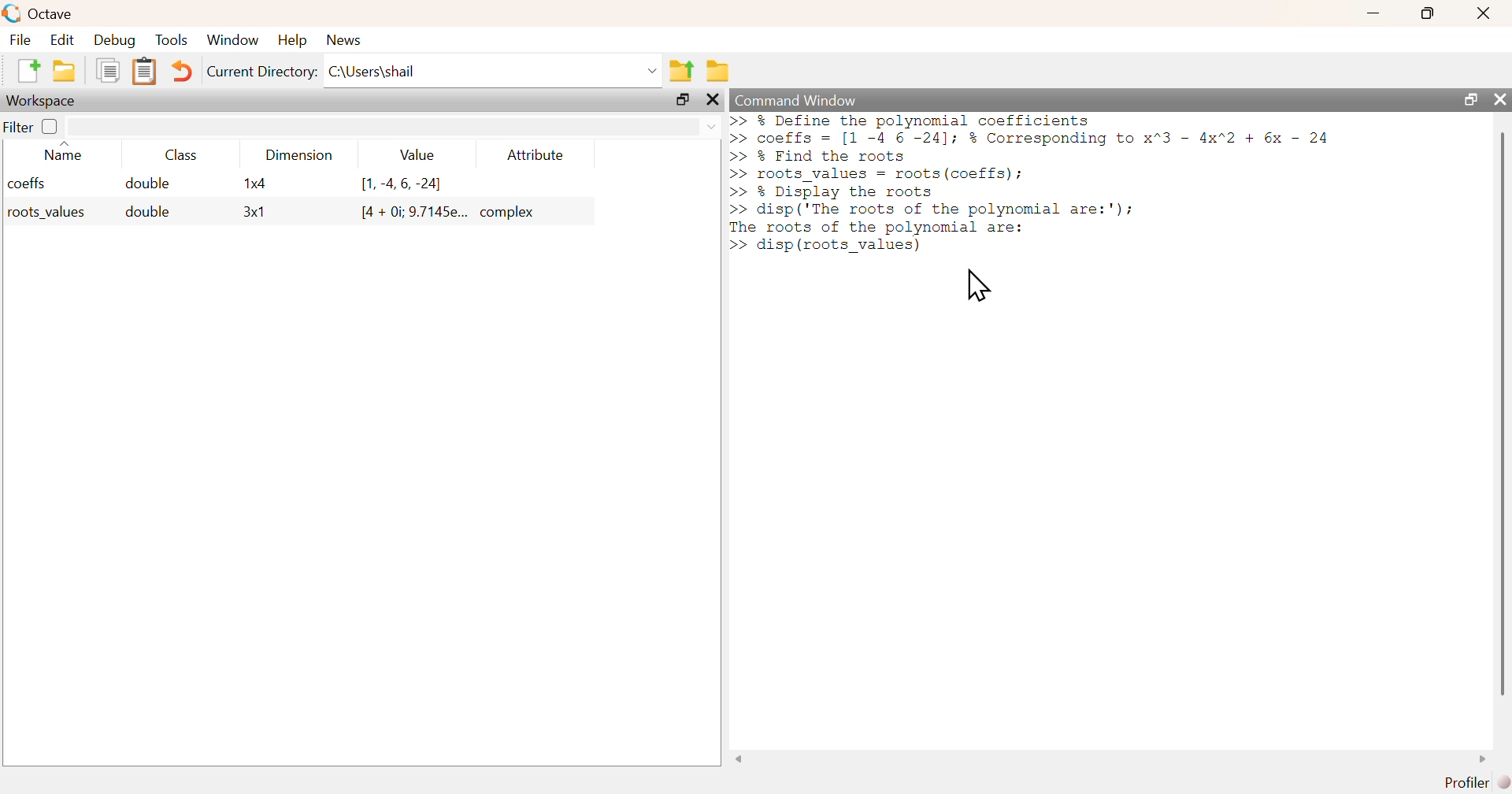 The image size is (1512, 794). What do you see at coordinates (28, 184) in the screenshot?
I see `coeffs` at bounding box center [28, 184].